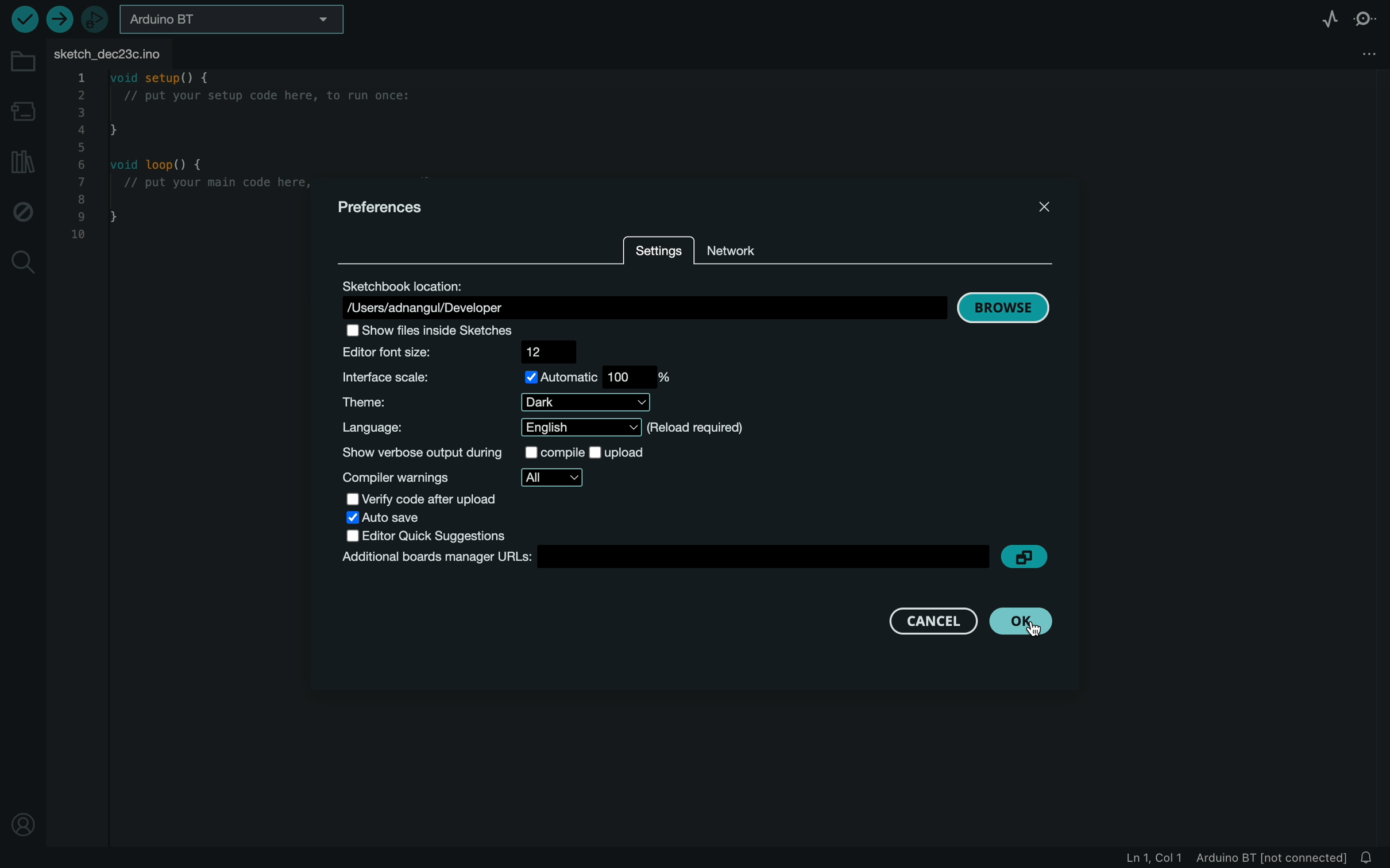  Describe the element at coordinates (391, 208) in the screenshot. I see `preferences` at that location.